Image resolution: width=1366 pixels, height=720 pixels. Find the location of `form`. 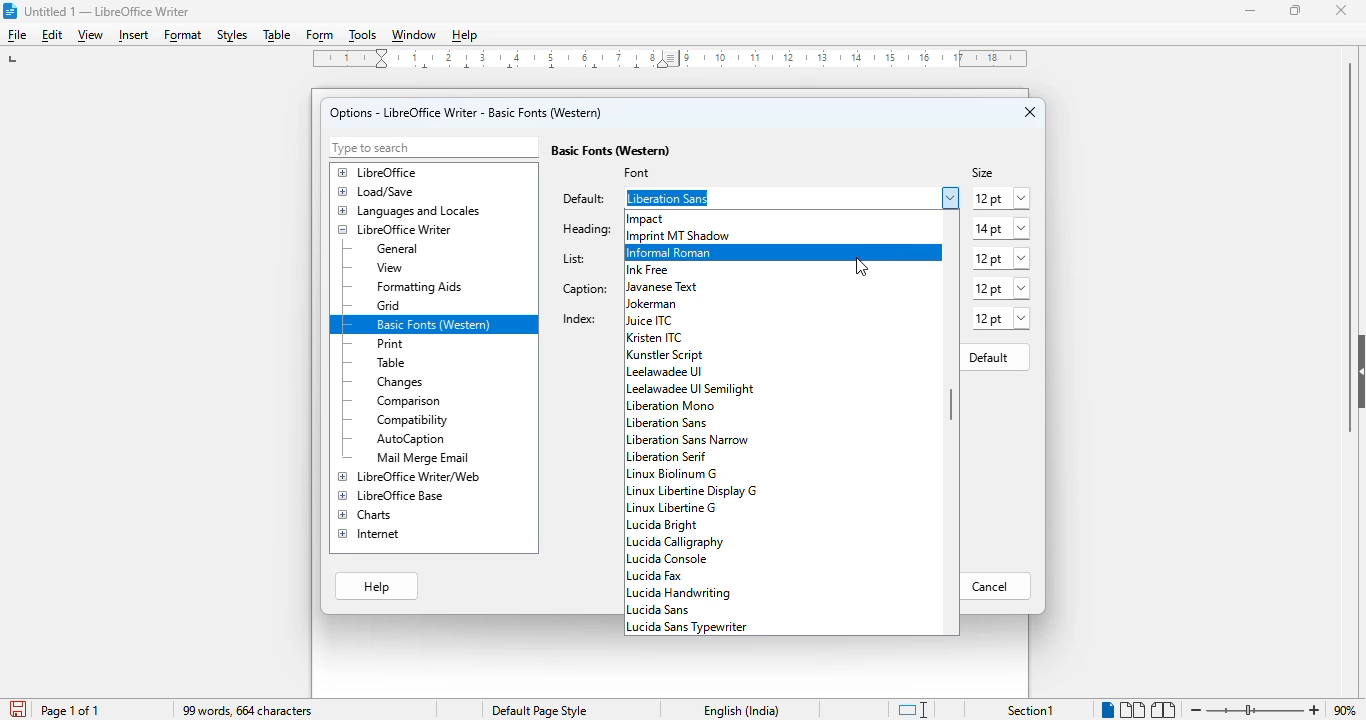

form is located at coordinates (320, 37).